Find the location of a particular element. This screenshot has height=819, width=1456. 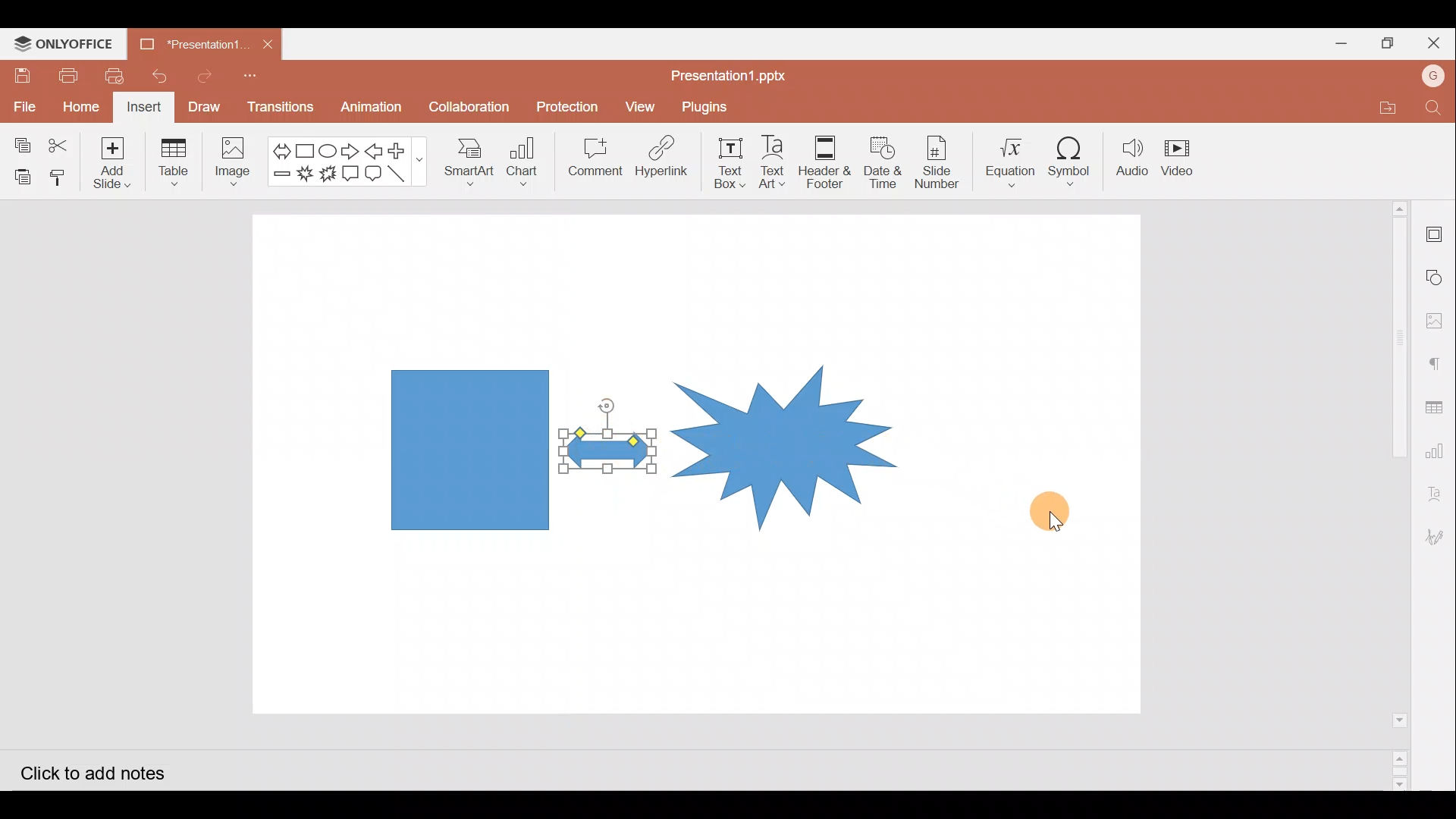

Signature settings is located at coordinates (1439, 539).